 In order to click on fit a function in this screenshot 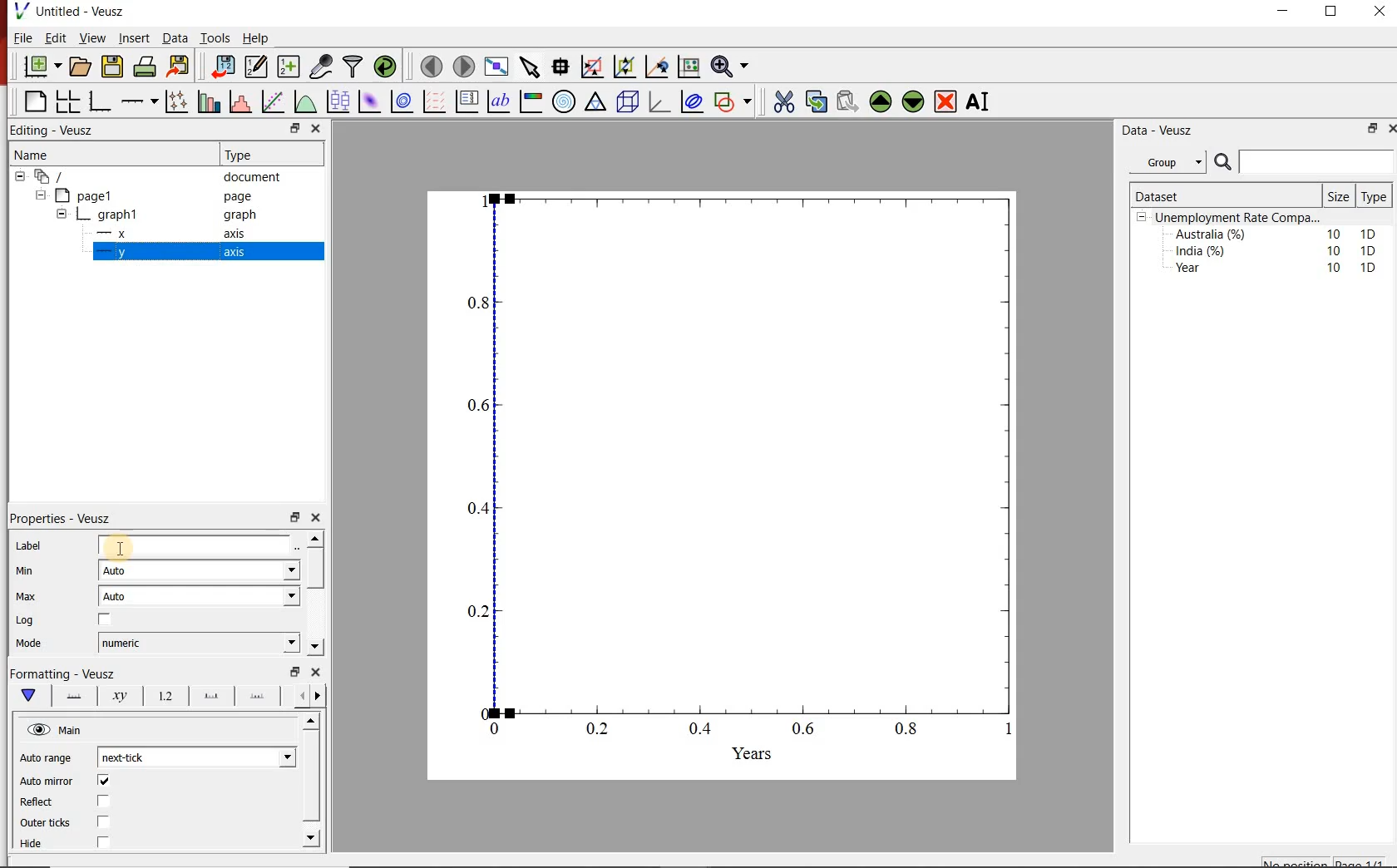, I will do `click(272, 101)`.